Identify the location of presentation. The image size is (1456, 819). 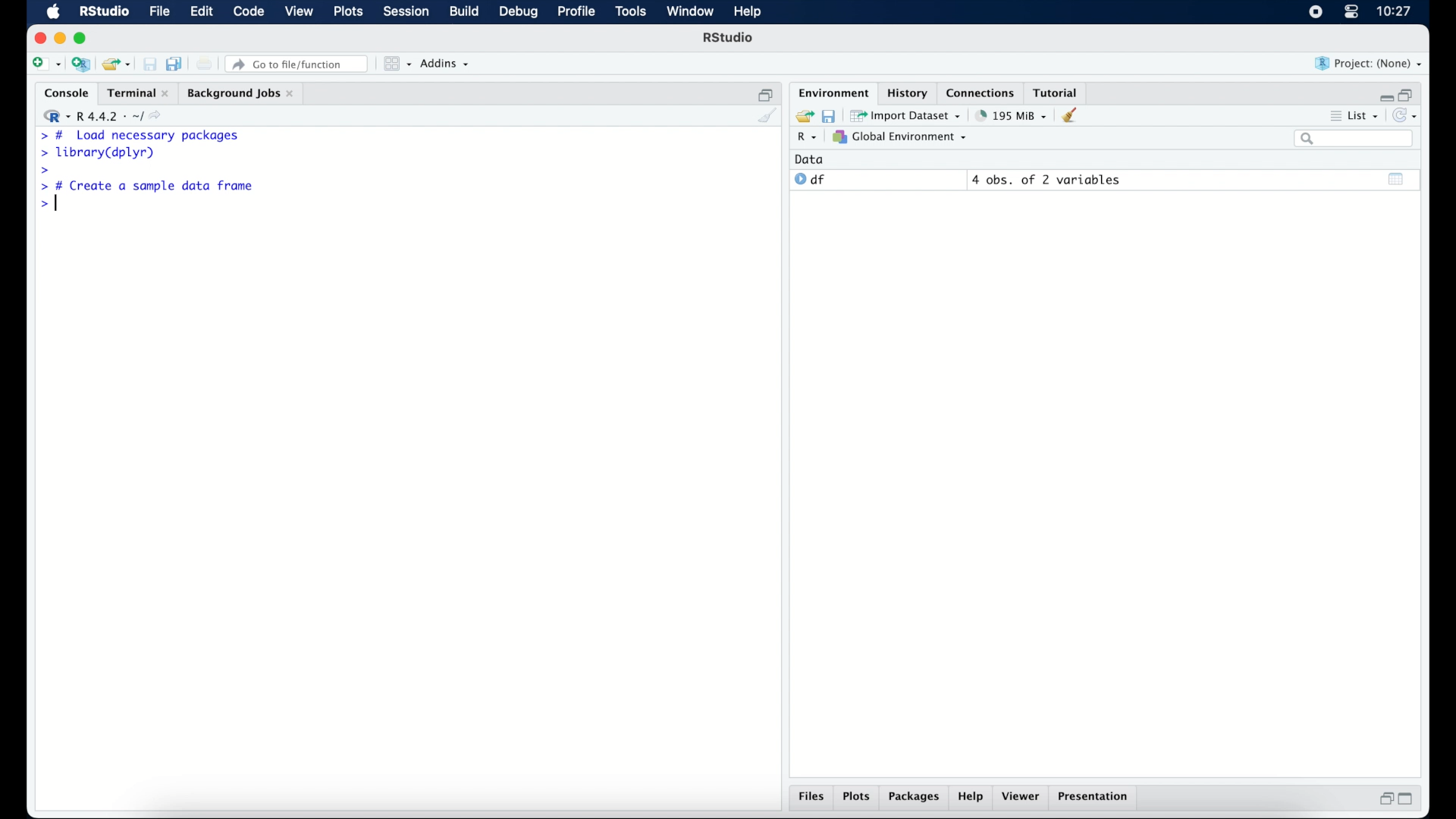
(1095, 798).